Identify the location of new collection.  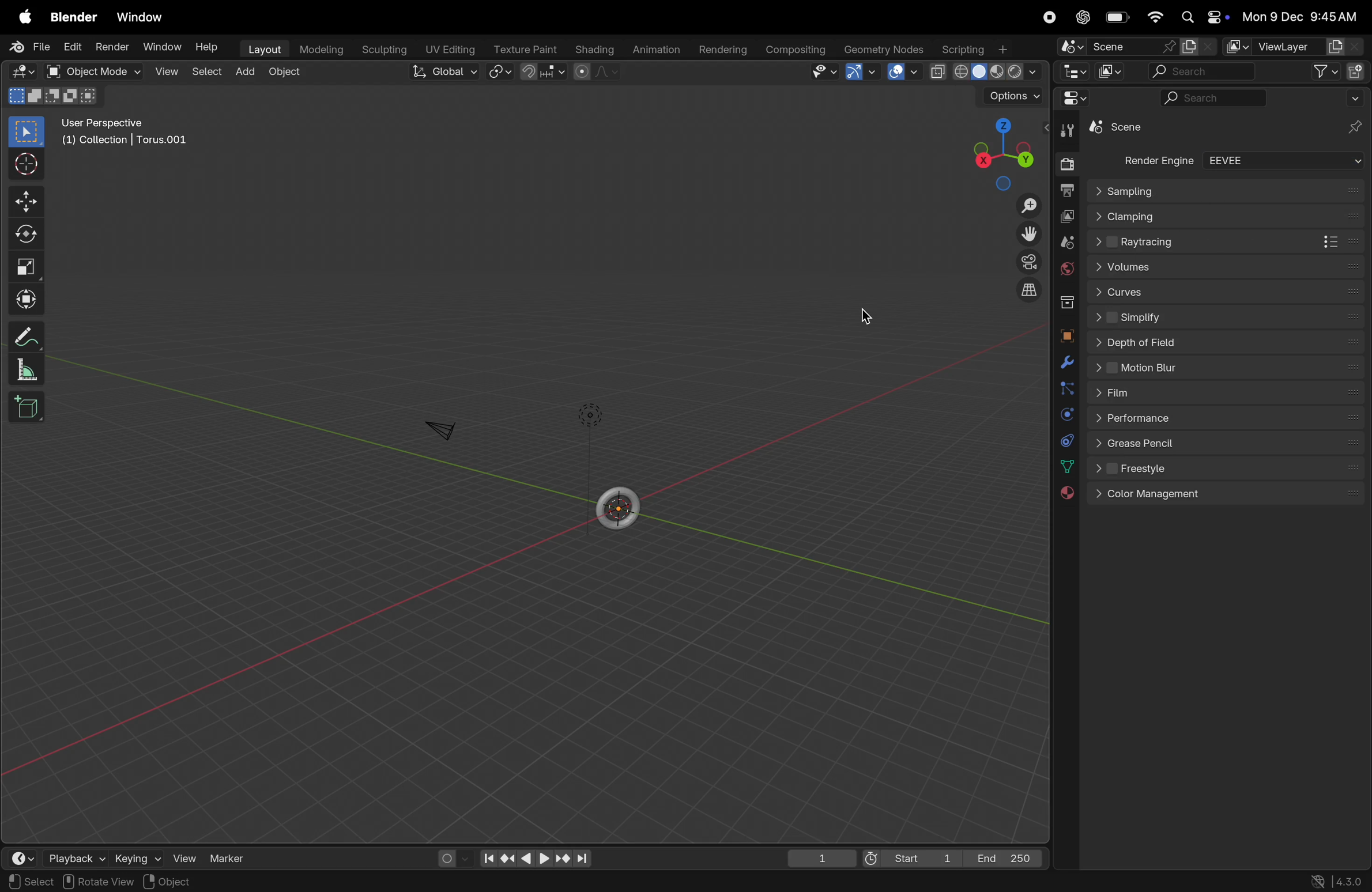
(1356, 73).